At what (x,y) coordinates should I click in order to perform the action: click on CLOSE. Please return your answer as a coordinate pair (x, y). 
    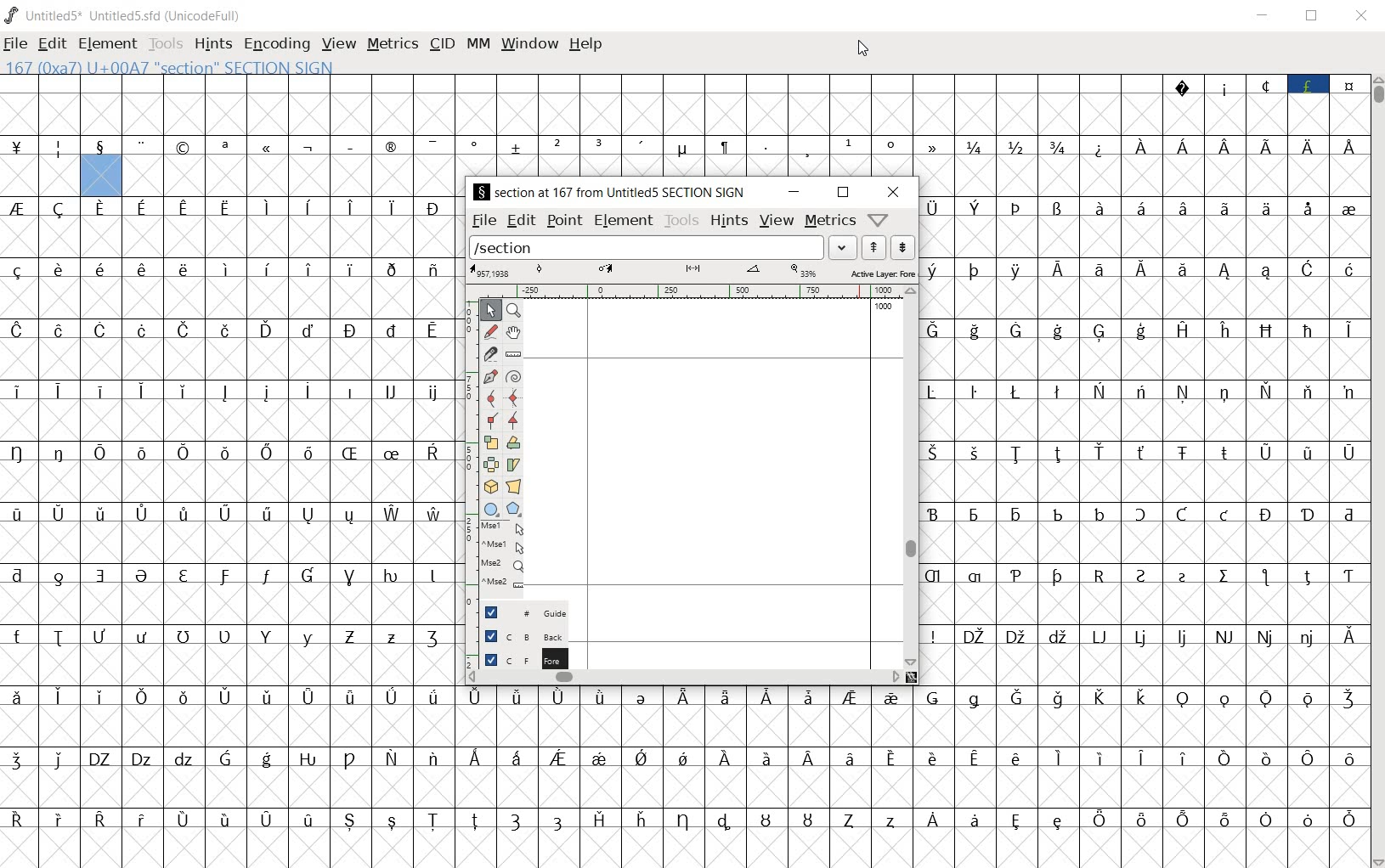
    Looking at the image, I should click on (1361, 18).